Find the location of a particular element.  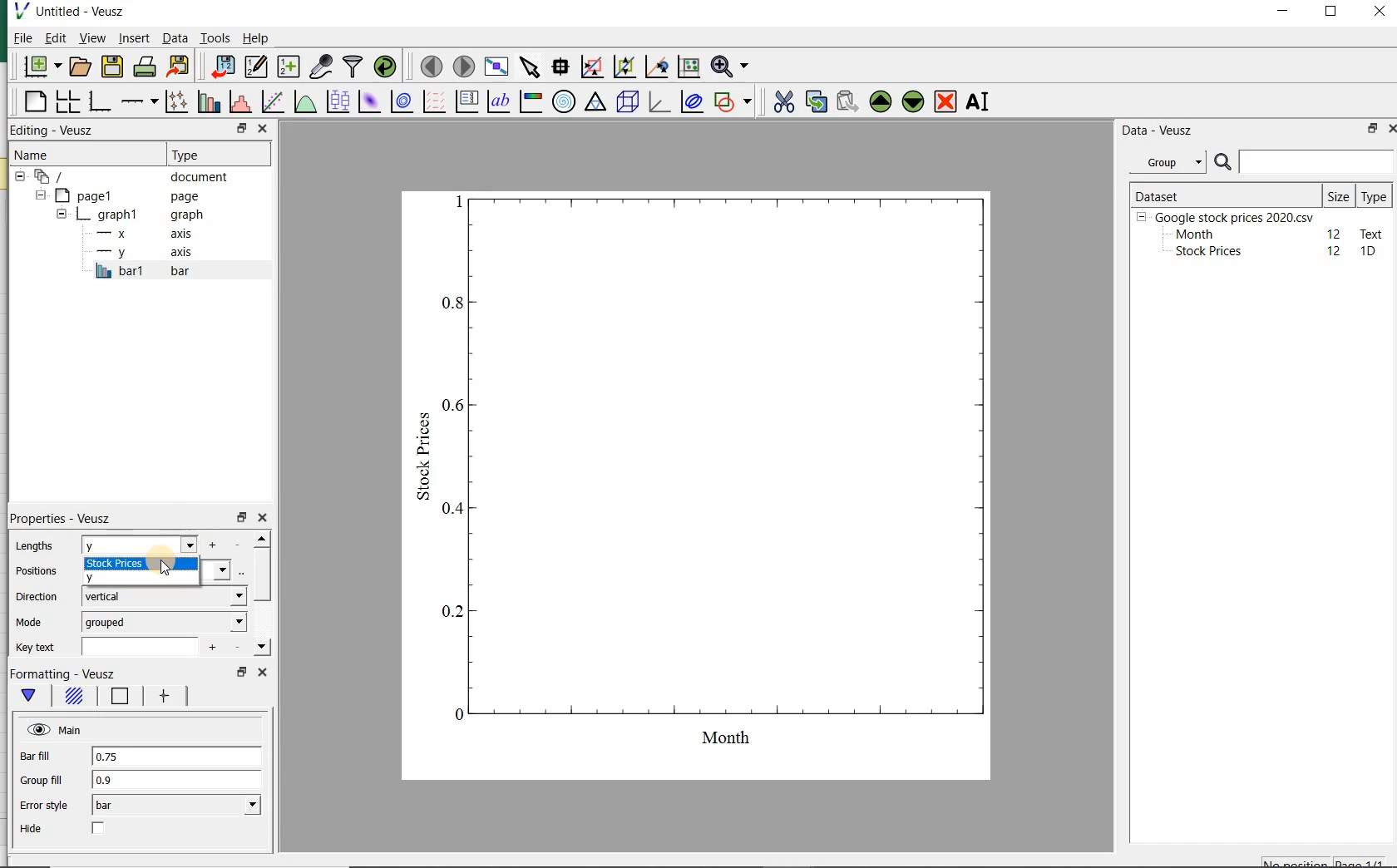

Size is located at coordinates (1339, 195).